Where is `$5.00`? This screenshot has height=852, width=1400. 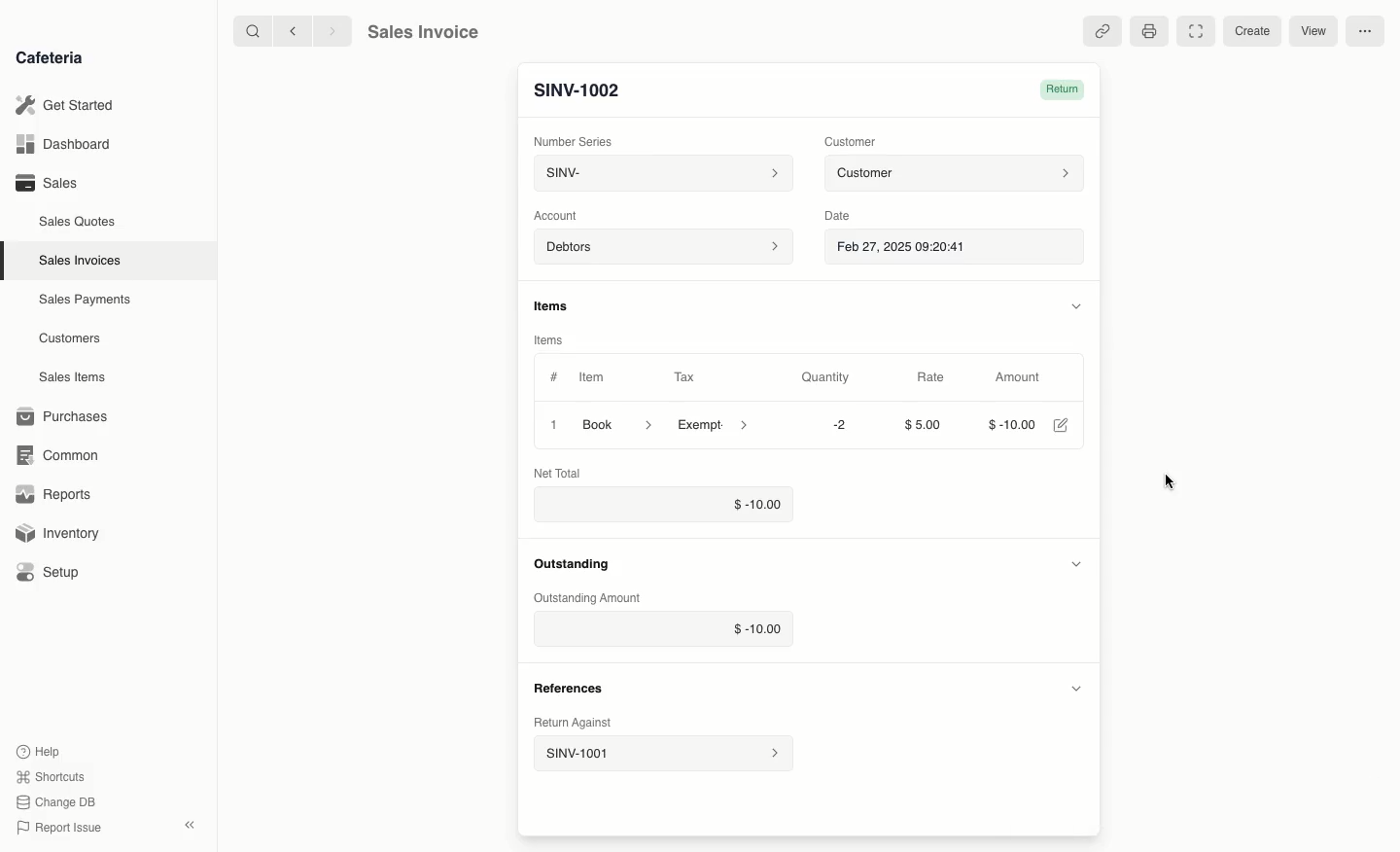
$5.00 is located at coordinates (923, 424).